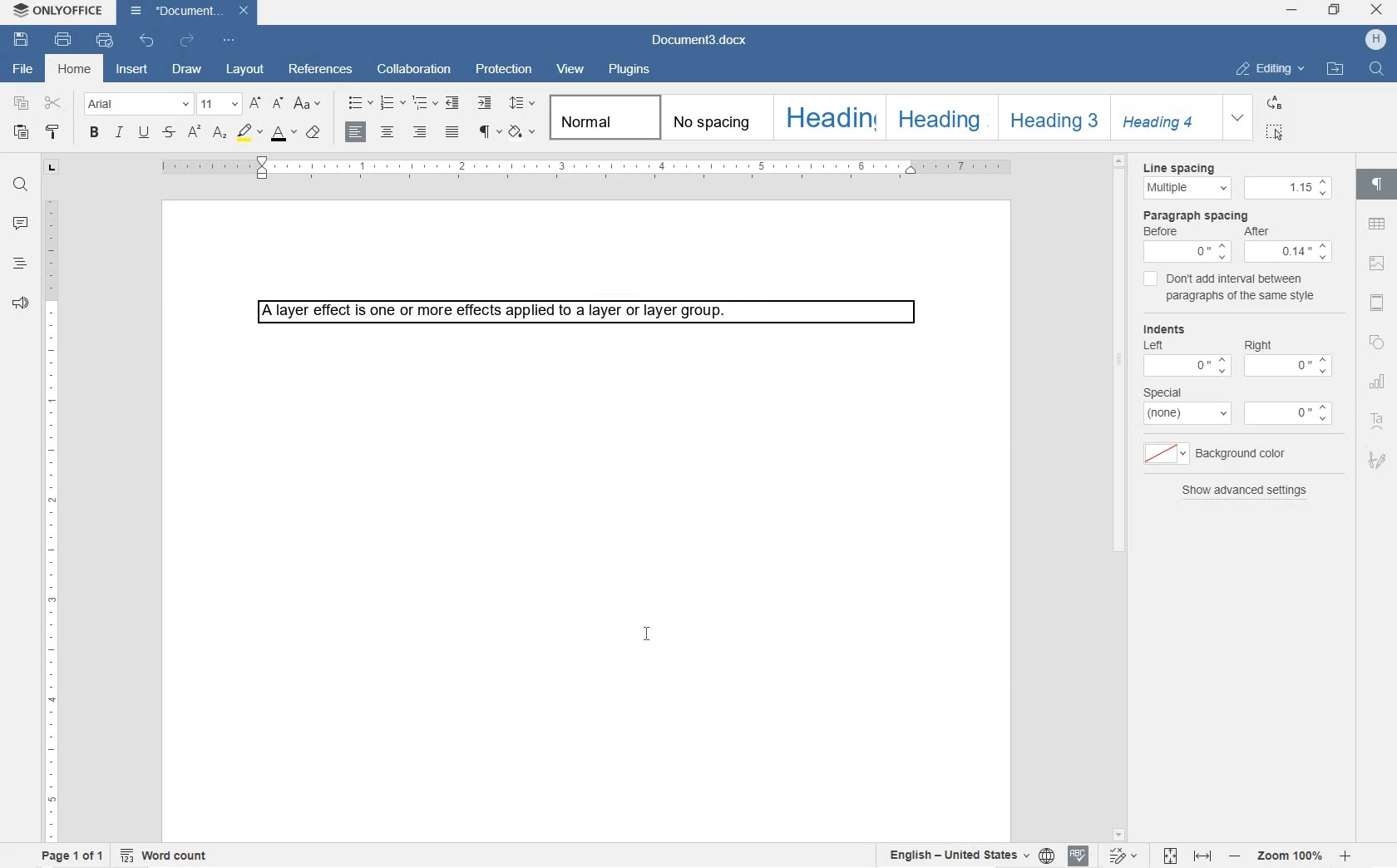 This screenshot has width=1397, height=868. Describe the element at coordinates (192, 13) in the screenshot. I see `DOCUMENT3.DOCX` at that location.